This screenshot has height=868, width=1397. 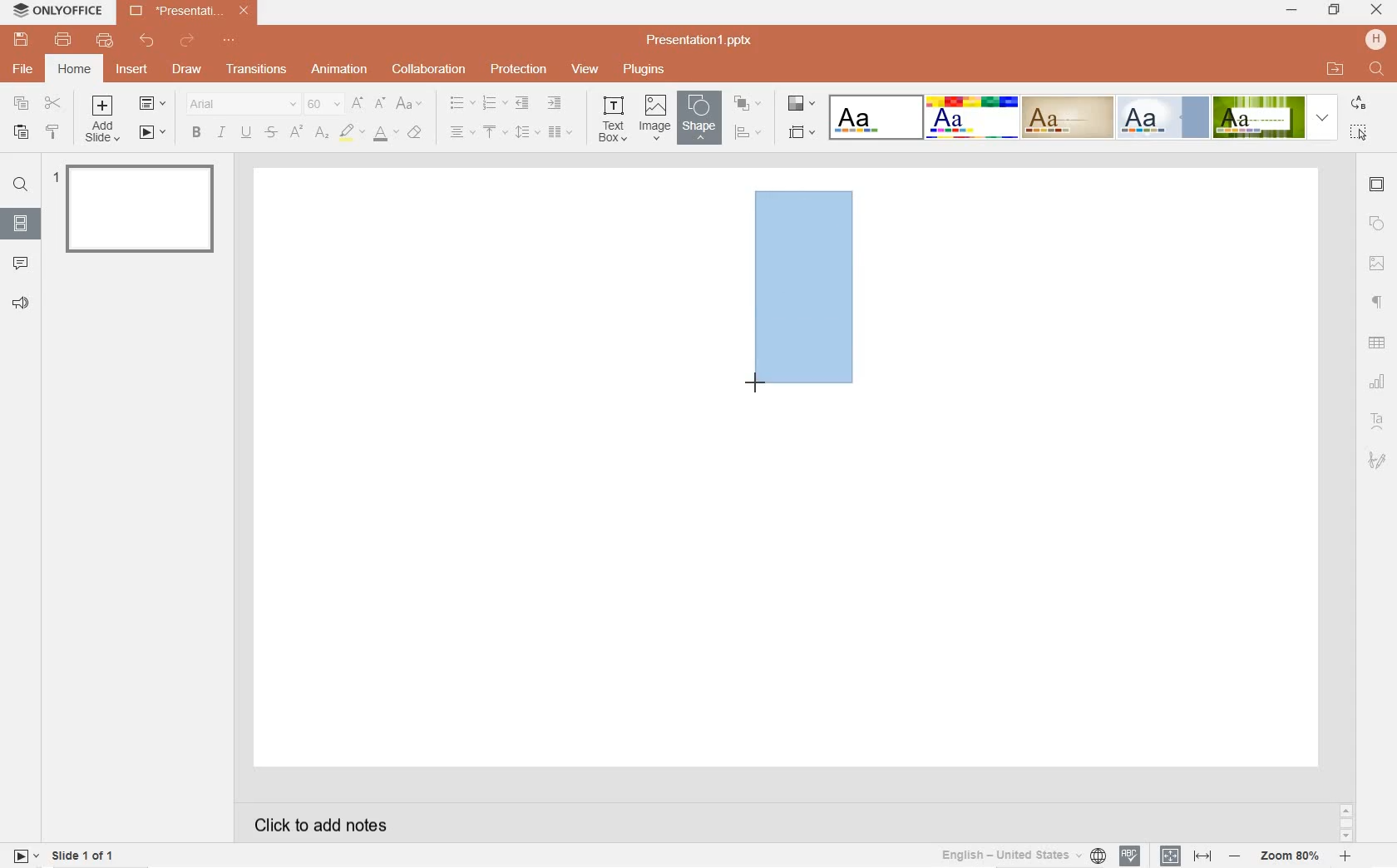 I want to click on shape settings, so click(x=1377, y=224).